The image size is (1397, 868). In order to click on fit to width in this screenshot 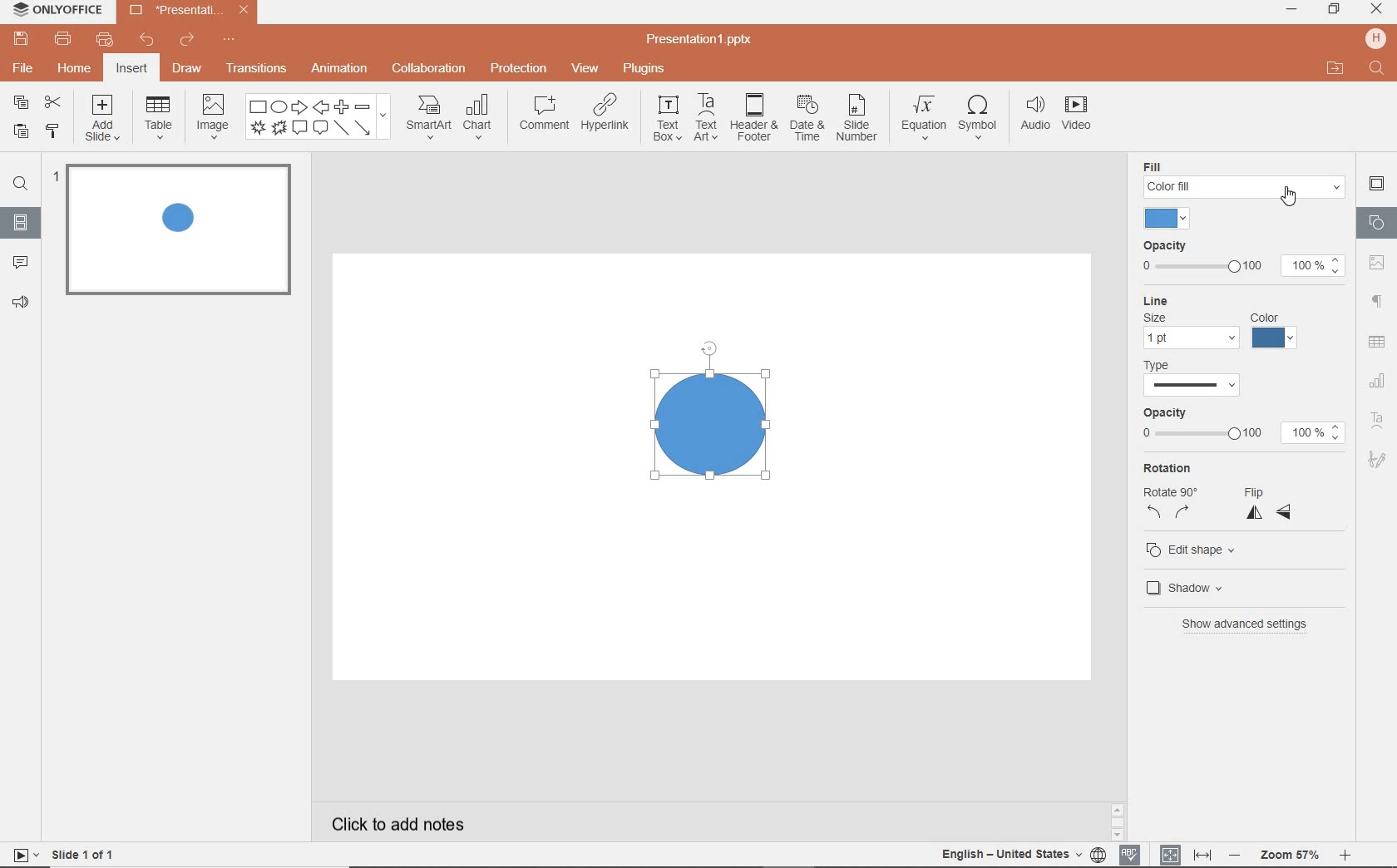, I will do `click(1202, 852)`.